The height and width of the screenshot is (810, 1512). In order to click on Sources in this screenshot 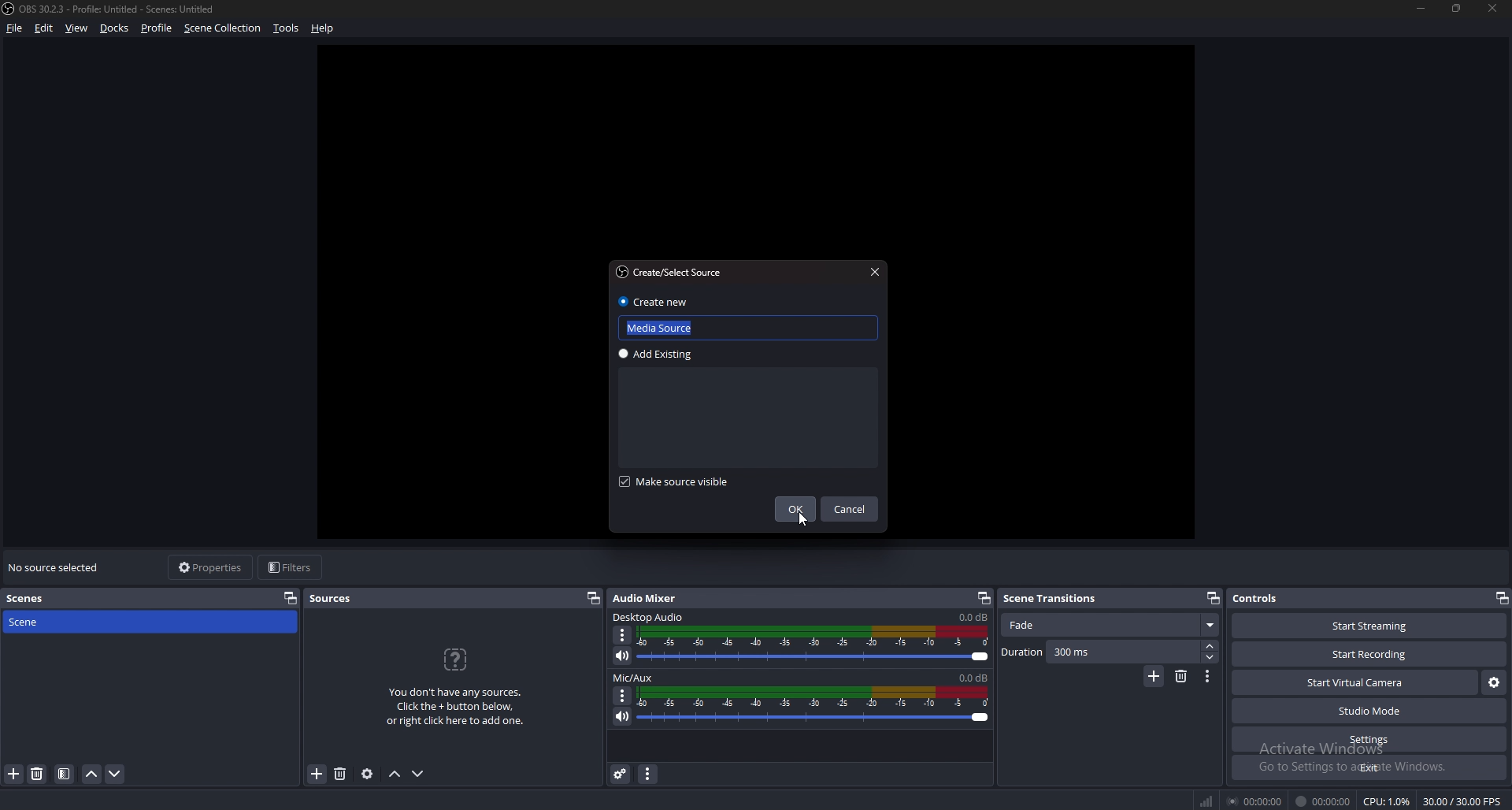, I will do `click(331, 598)`.